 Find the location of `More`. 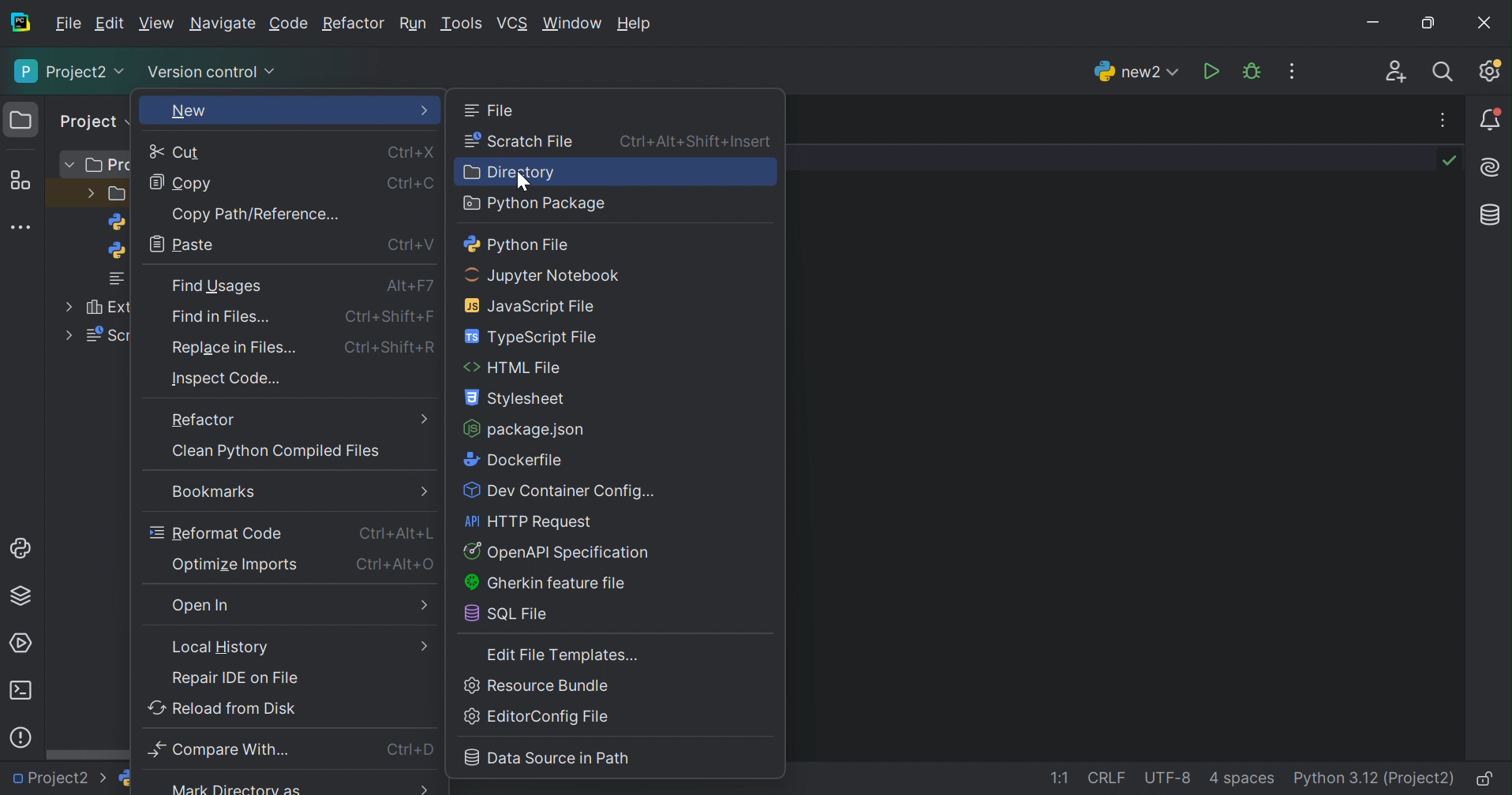

More is located at coordinates (421, 789).